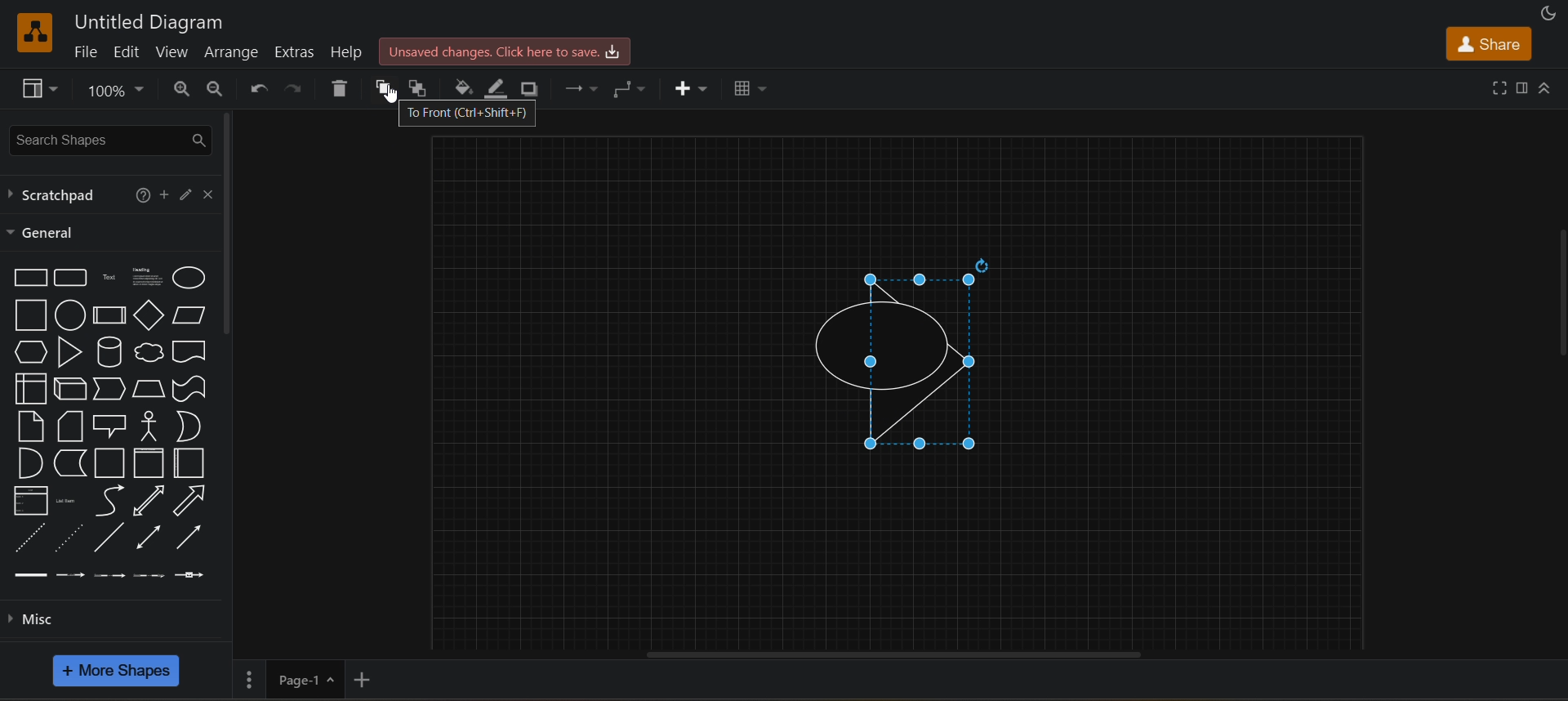 This screenshot has width=1568, height=701. I want to click on insert, so click(697, 90).